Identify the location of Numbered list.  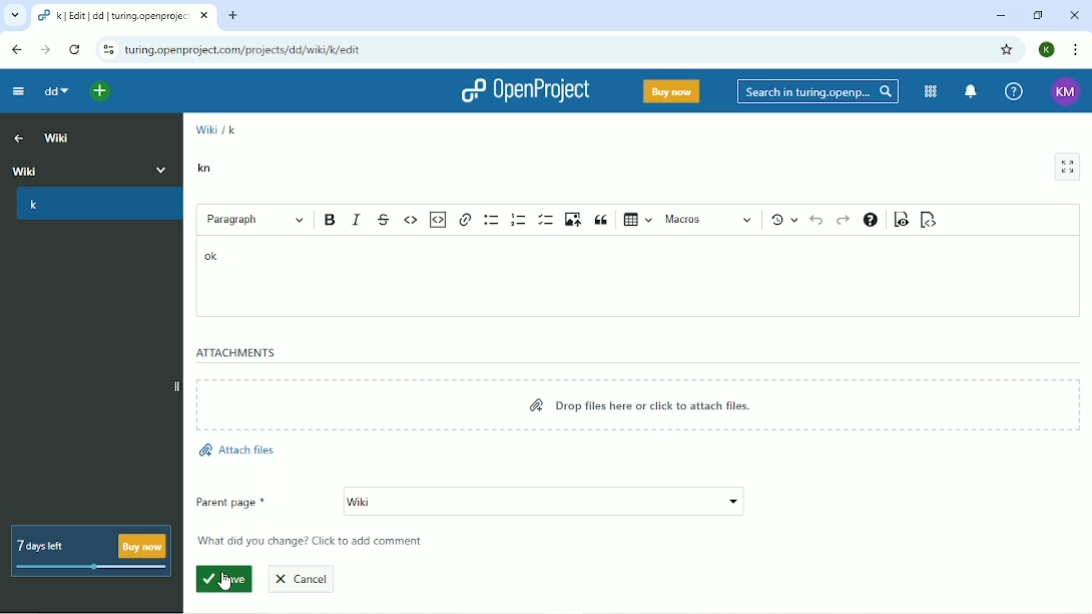
(516, 219).